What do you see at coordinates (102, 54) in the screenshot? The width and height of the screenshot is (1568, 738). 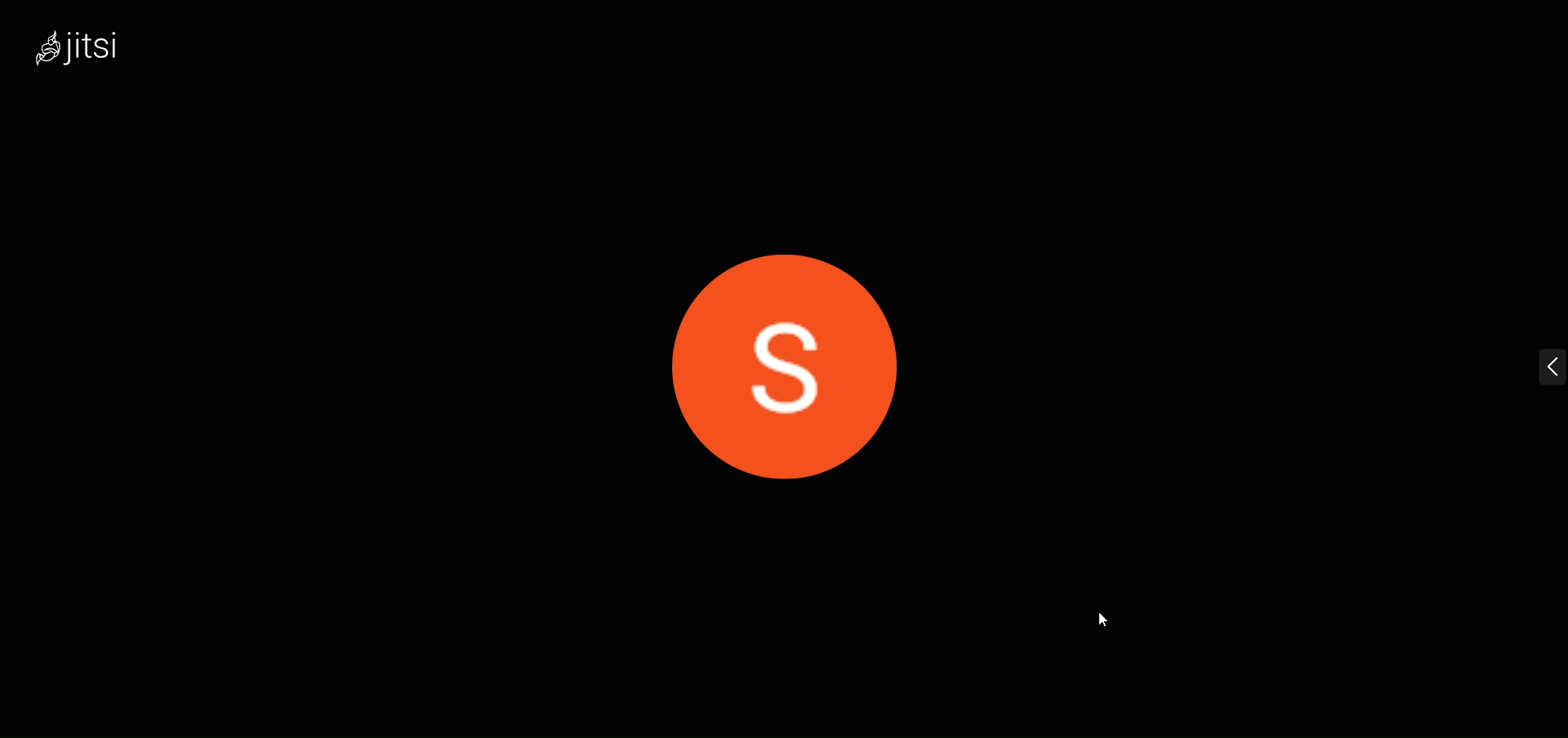 I see `JITSI` at bounding box center [102, 54].